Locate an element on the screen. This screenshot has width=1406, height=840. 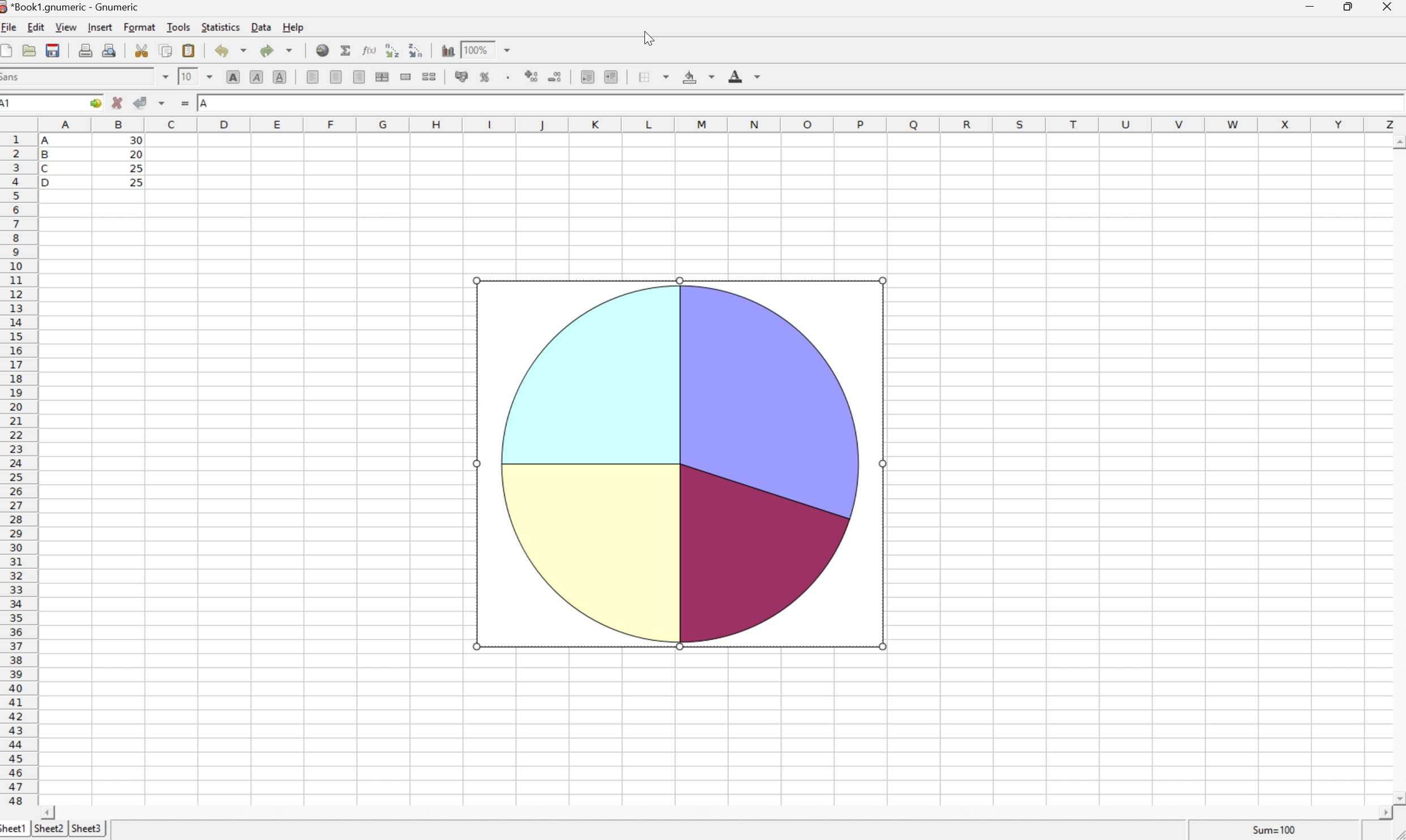
Sum into current cell is located at coordinates (347, 49).